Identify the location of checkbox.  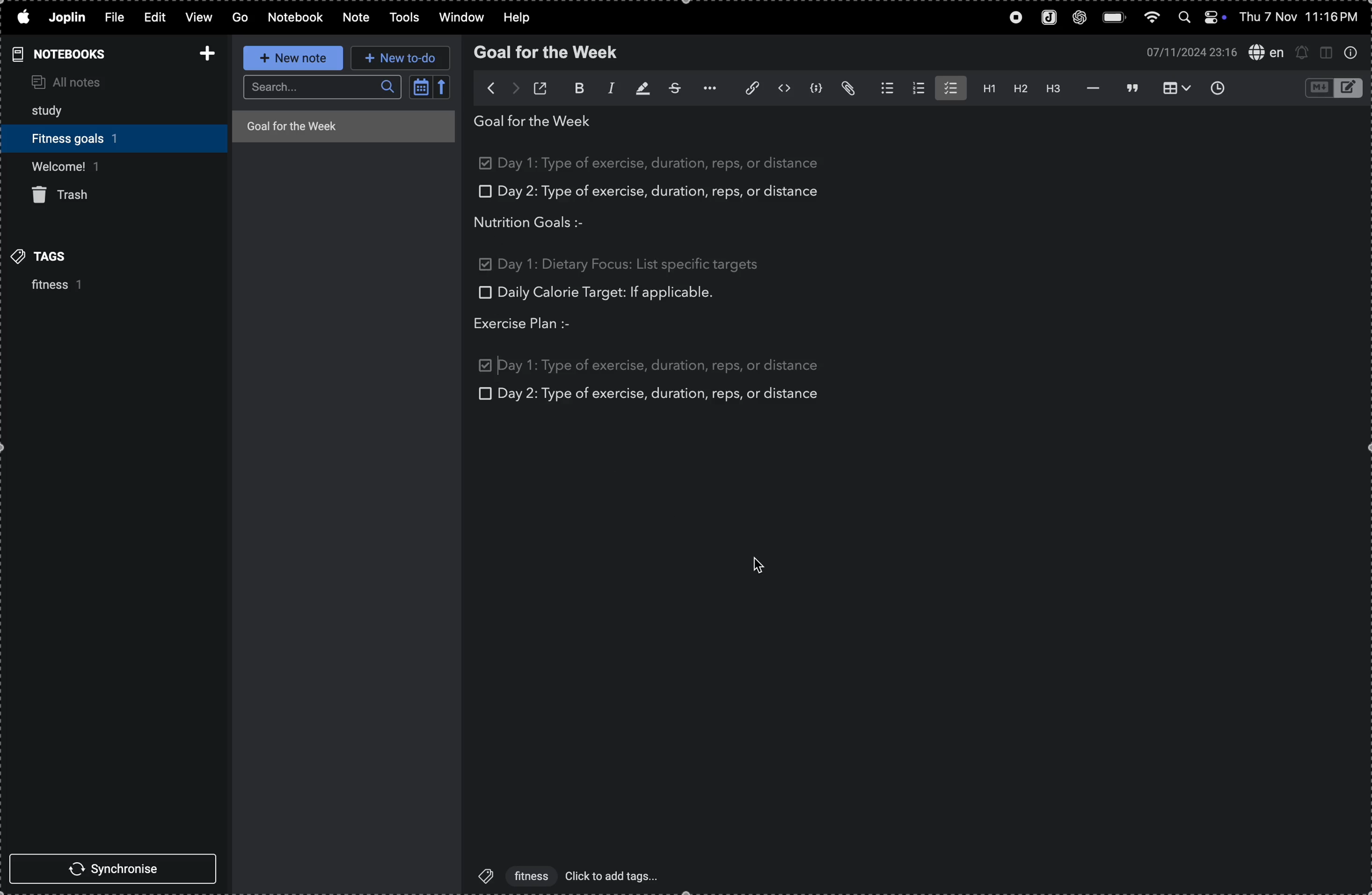
(485, 265).